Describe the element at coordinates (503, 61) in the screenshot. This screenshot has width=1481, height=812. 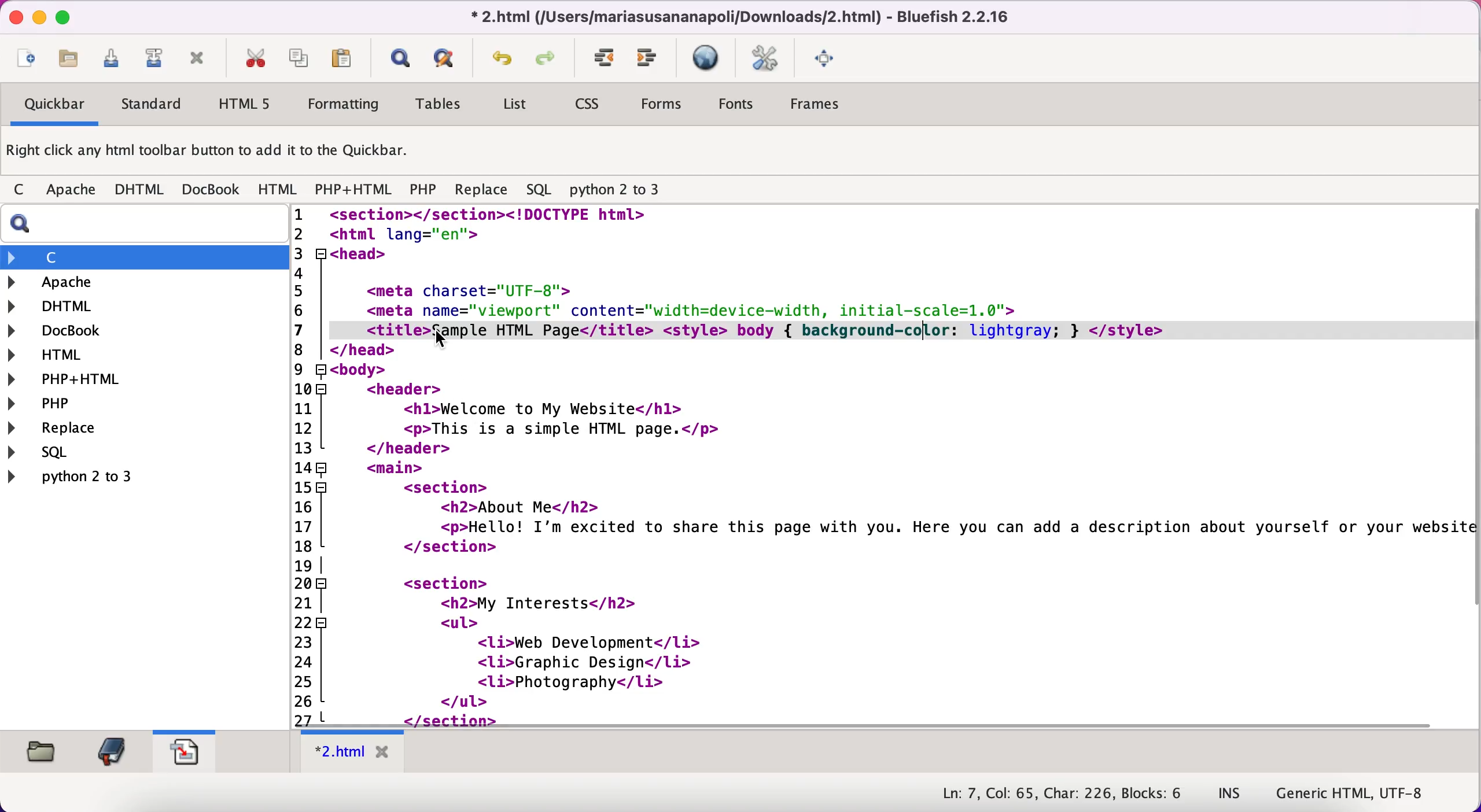
I see `undo` at that location.